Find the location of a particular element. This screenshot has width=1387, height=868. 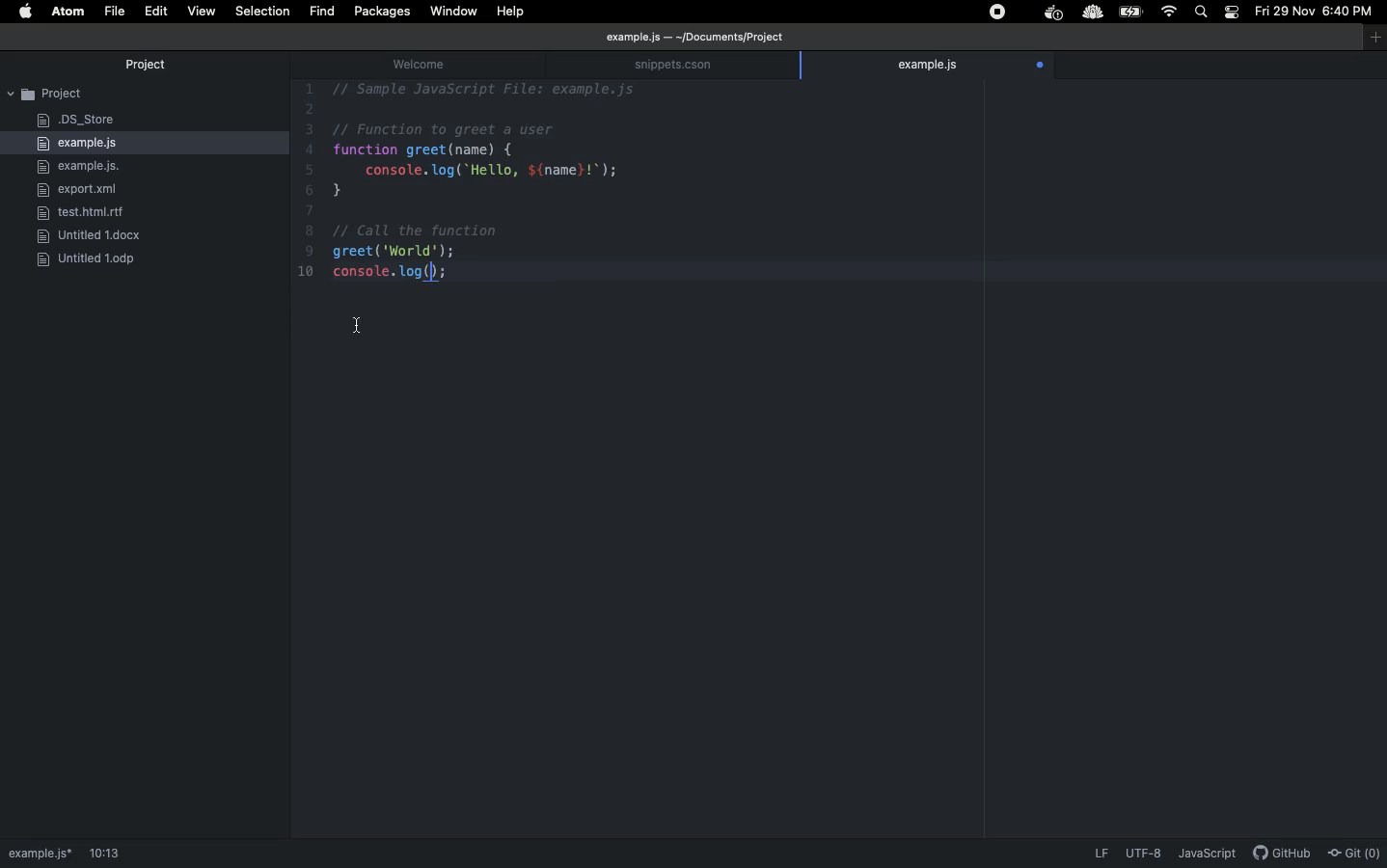

welcome is located at coordinates (432, 64).